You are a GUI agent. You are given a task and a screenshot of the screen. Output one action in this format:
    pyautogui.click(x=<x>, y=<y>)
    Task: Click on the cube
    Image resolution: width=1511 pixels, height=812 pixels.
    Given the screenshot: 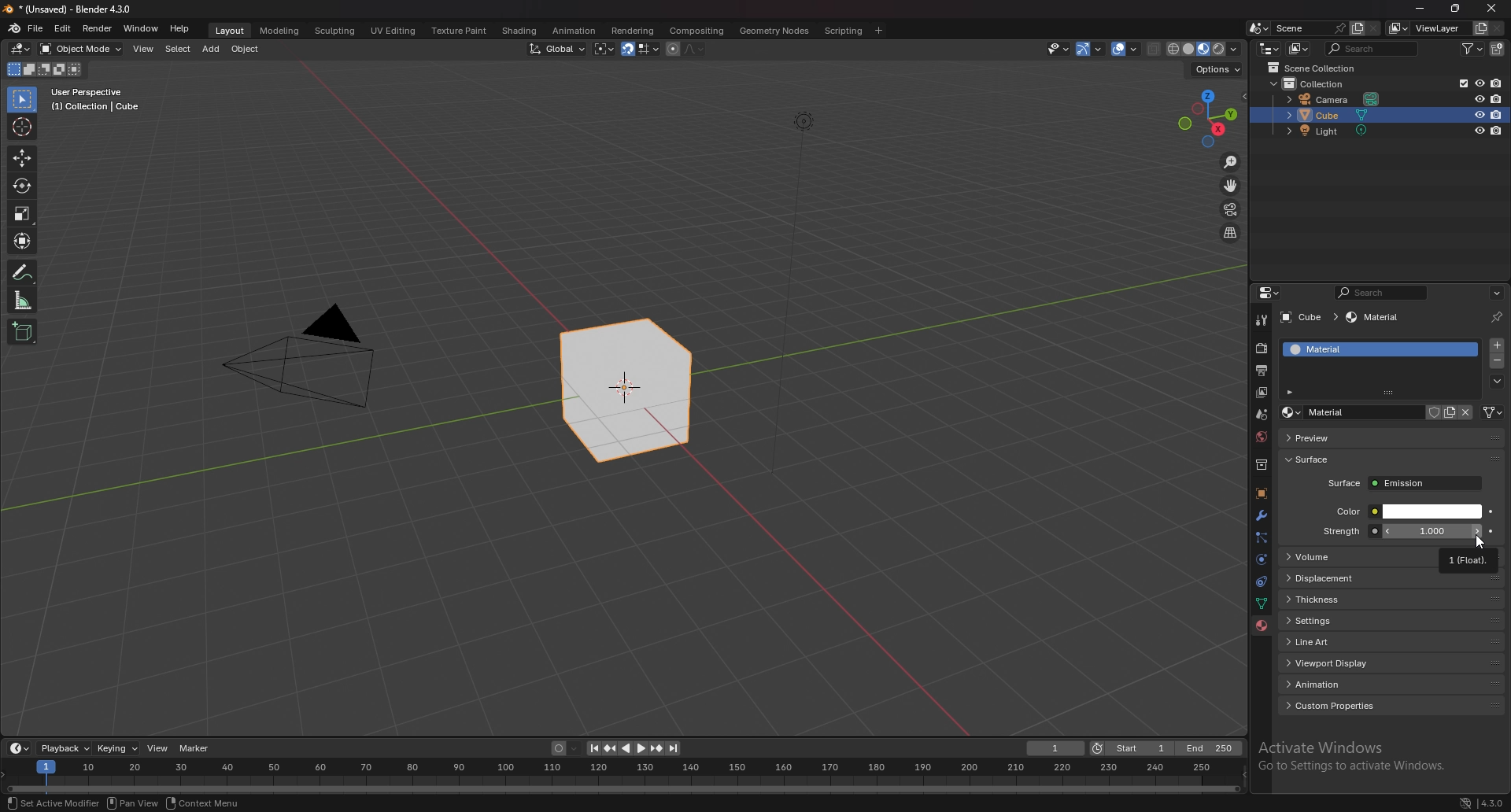 What is the action you would take?
    pyautogui.click(x=1308, y=318)
    